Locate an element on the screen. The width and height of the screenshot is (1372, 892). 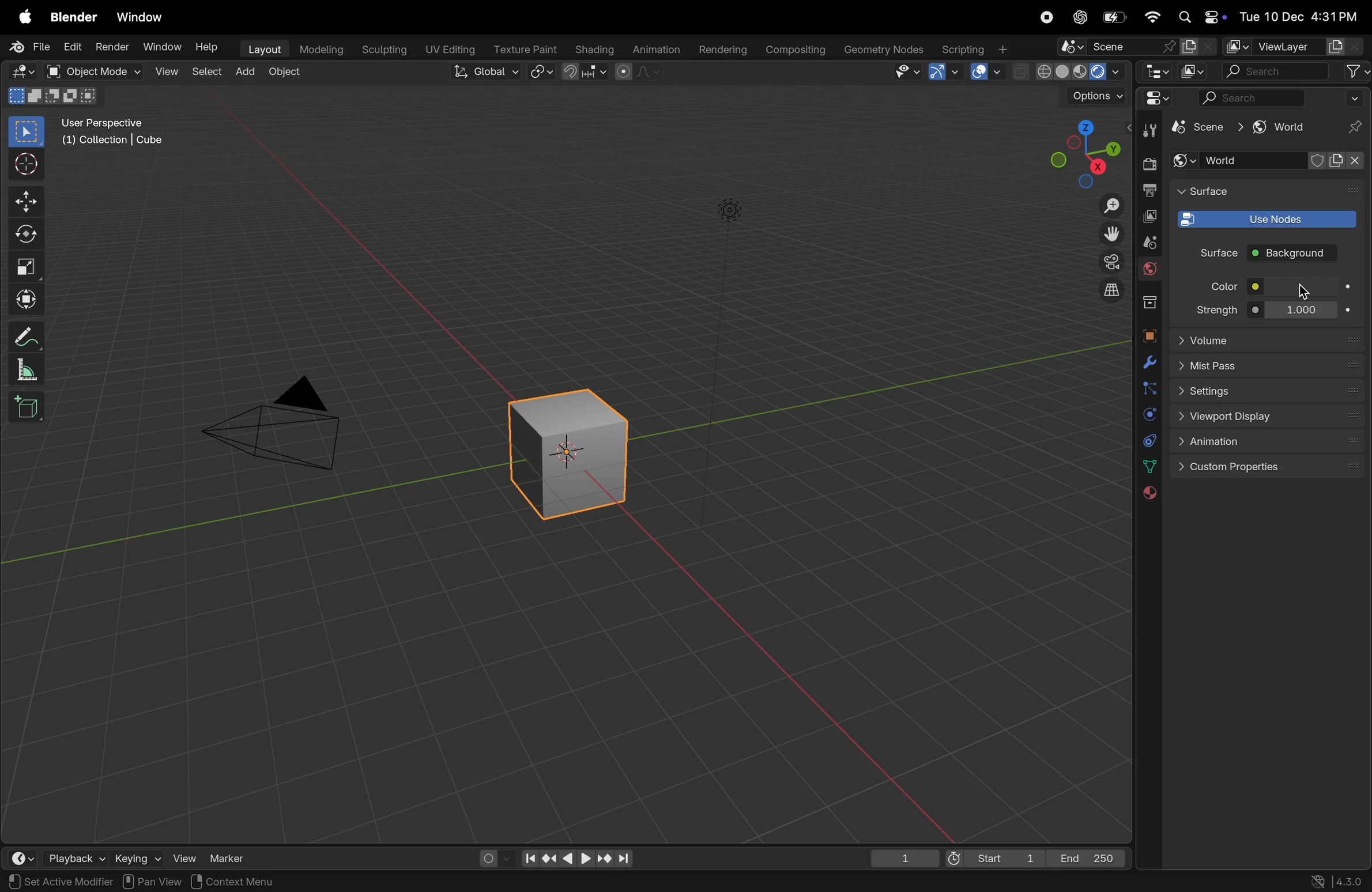
 is located at coordinates (730, 213).